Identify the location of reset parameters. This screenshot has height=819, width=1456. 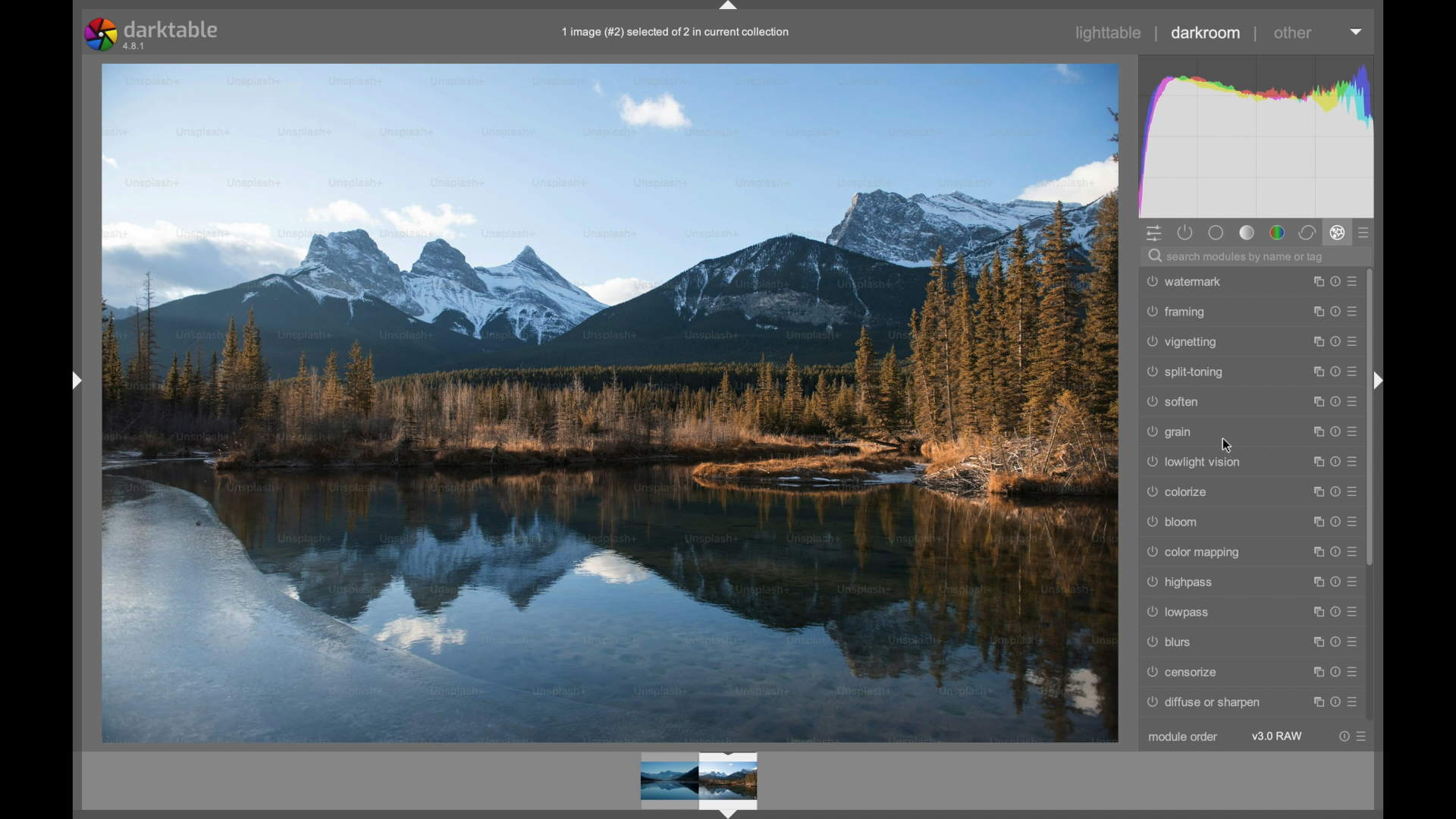
(1333, 460).